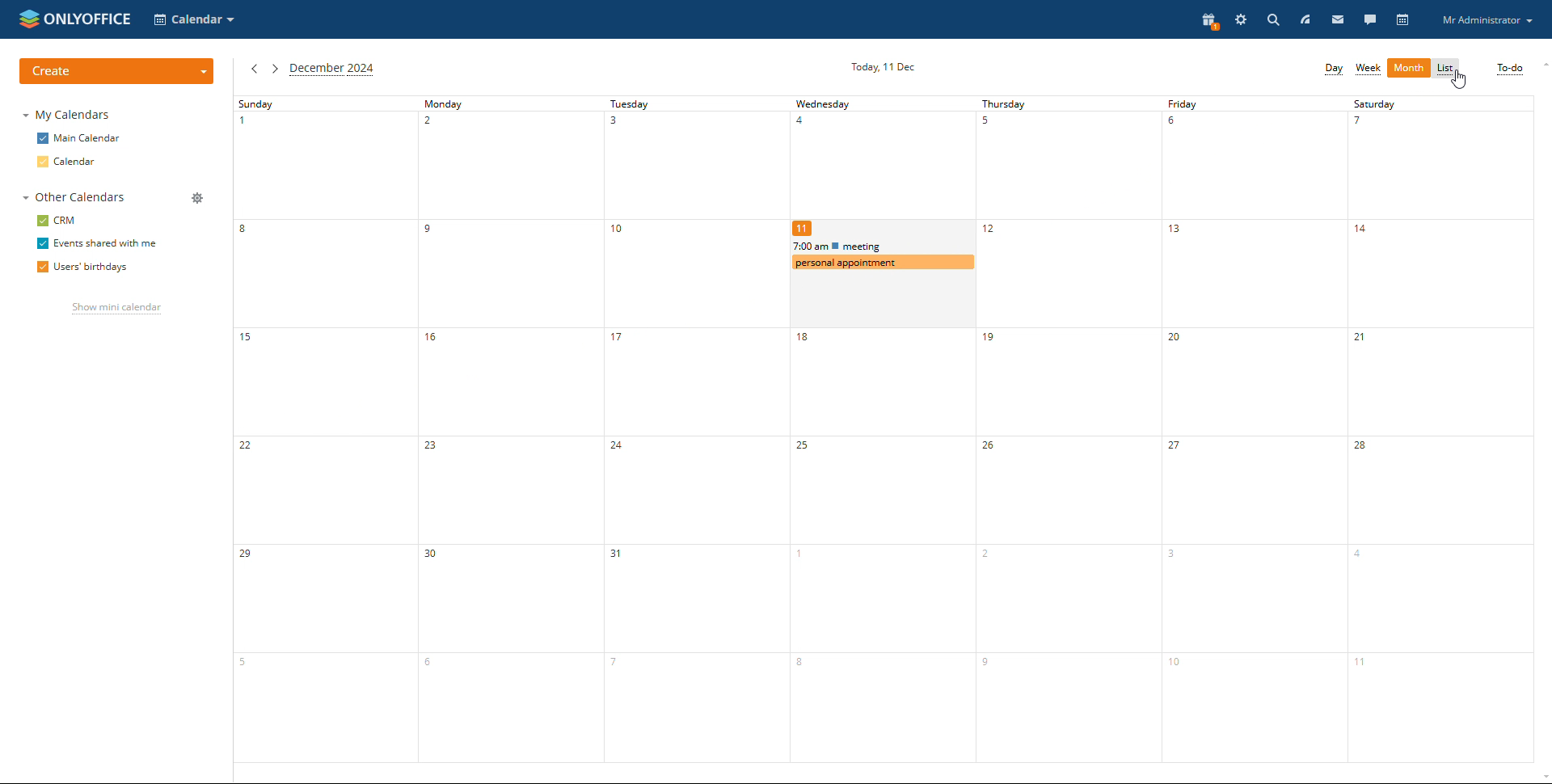 This screenshot has width=1552, height=784. Describe the element at coordinates (1510, 68) in the screenshot. I see `to-do` at that location.